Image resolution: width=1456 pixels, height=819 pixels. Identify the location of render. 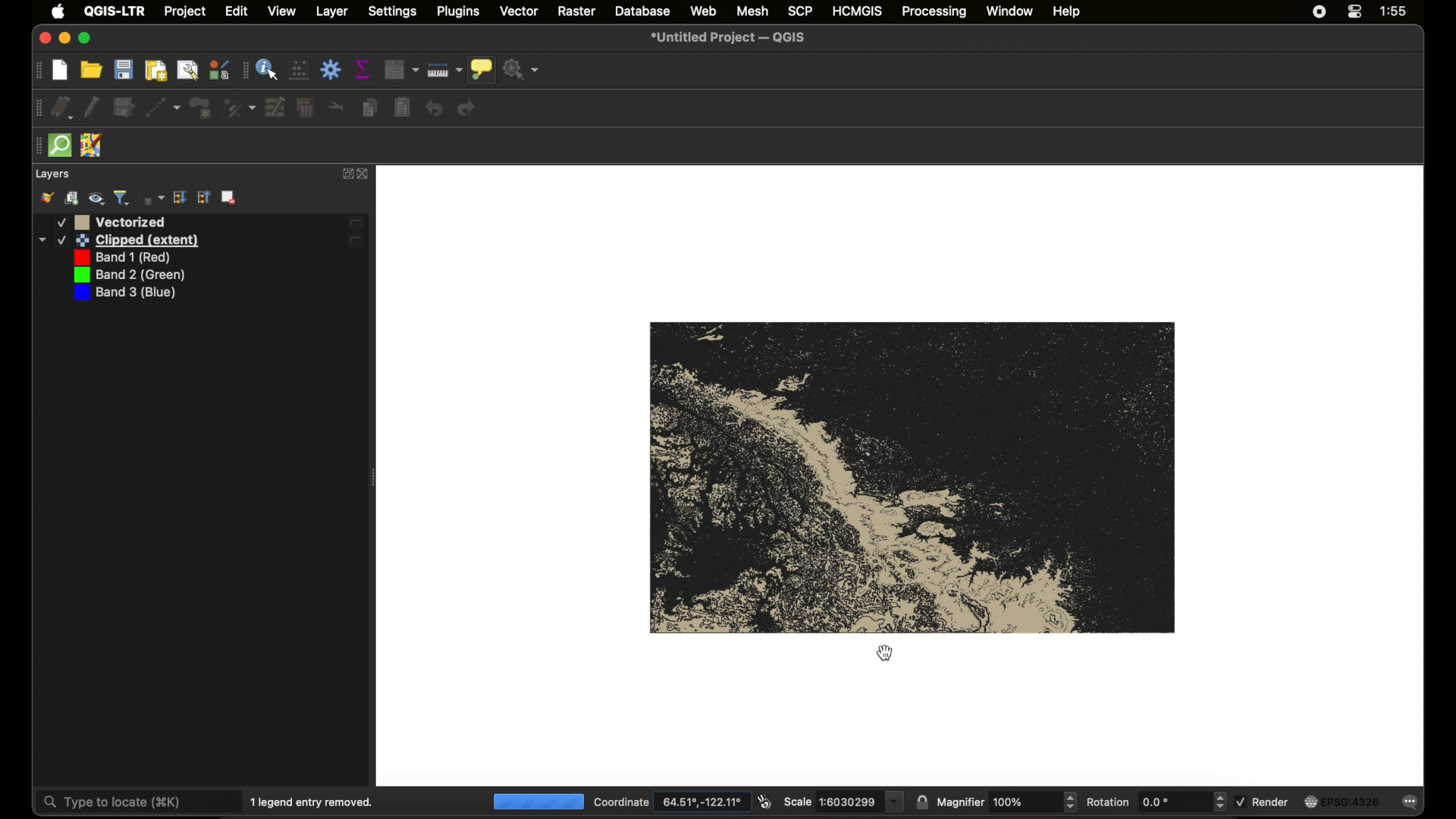
(1263, 801).